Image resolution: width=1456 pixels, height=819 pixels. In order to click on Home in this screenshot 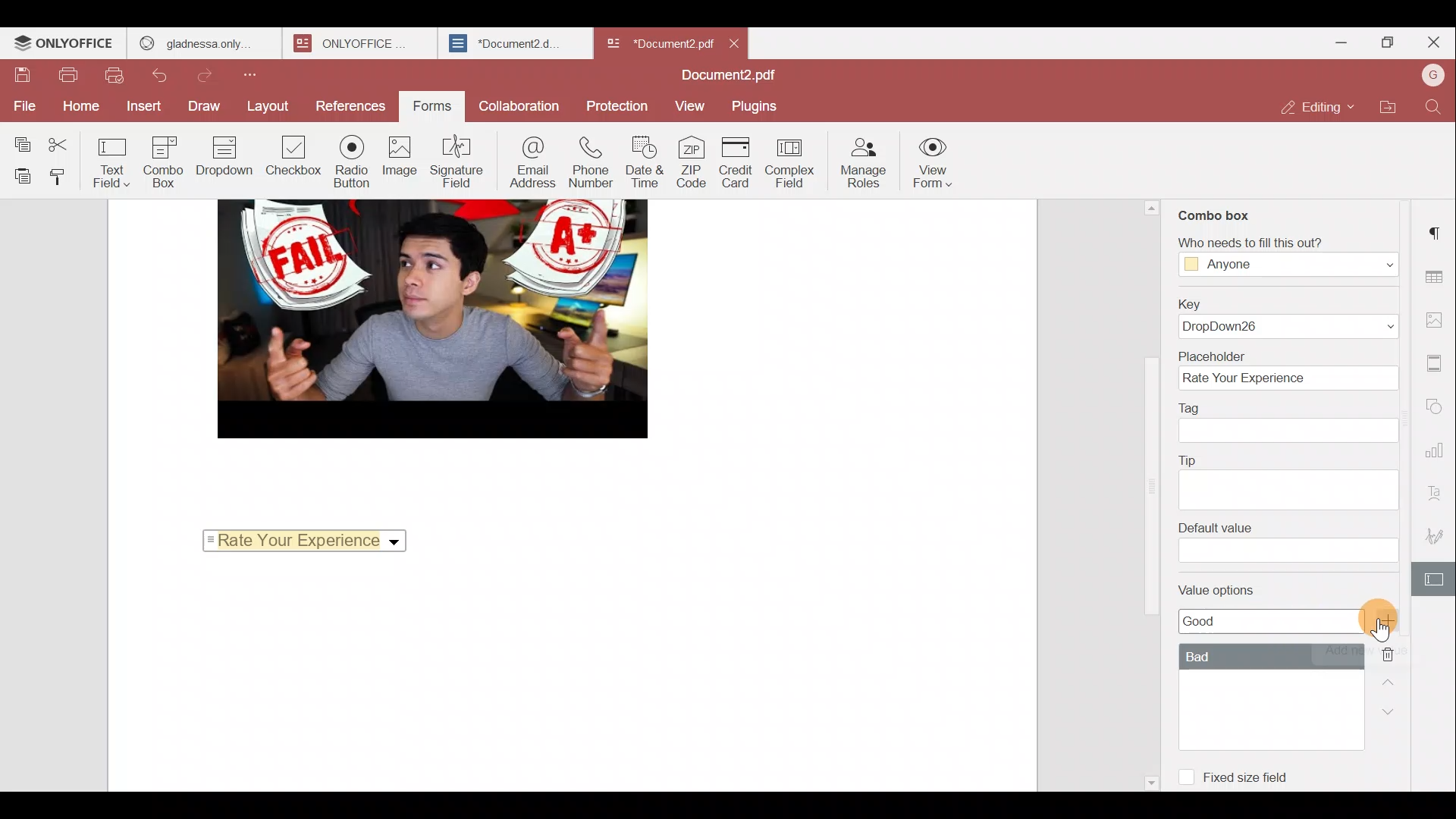, I will do `click(77, 108)`.